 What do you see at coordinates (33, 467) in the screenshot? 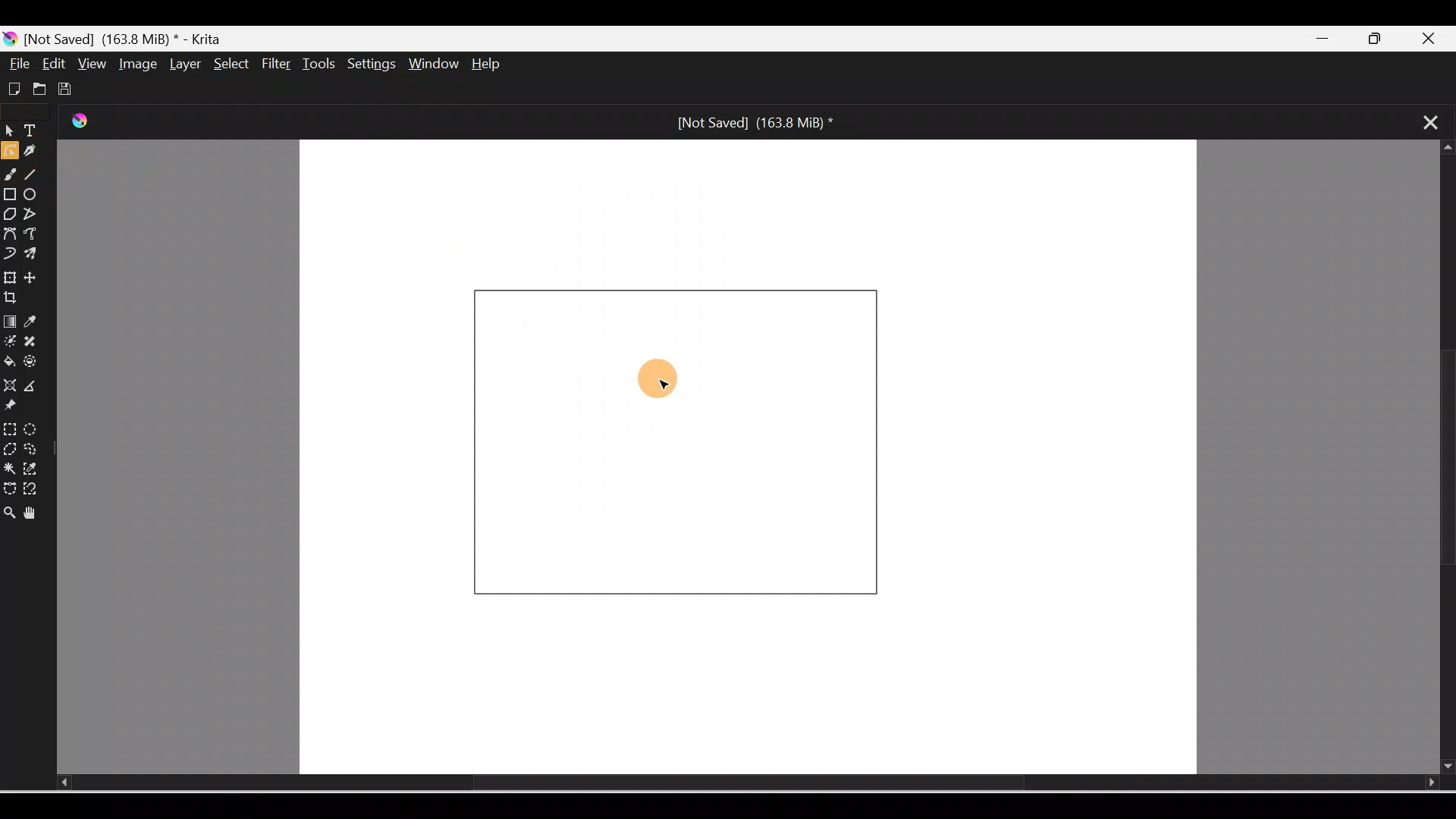
I see `Similar color selection tool` at bounding box center [33, 467].